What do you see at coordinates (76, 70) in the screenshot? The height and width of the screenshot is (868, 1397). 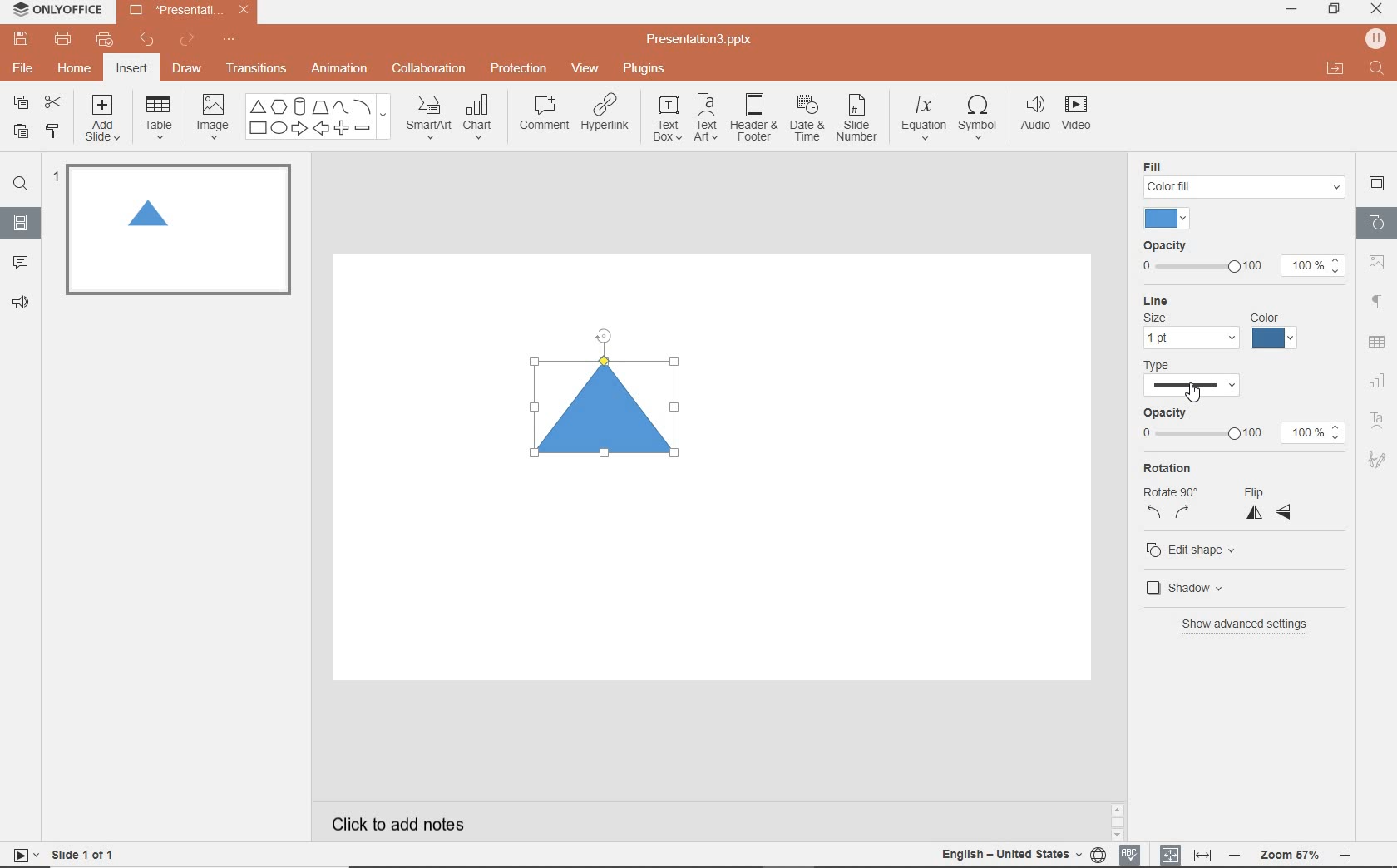 I see `HOME` at bounding box center [76, 70].